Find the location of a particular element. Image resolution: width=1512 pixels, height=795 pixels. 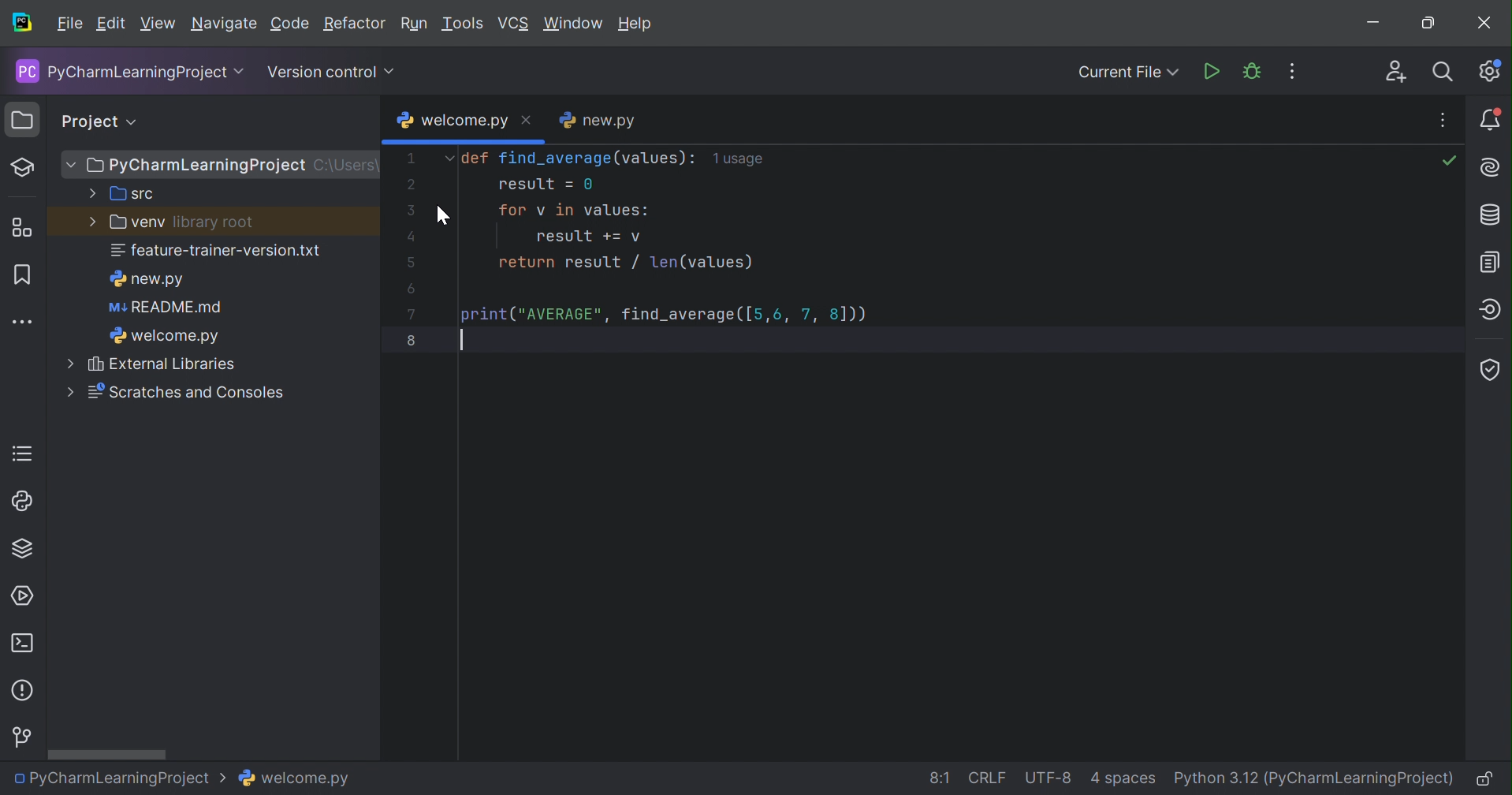

Updates available. IDE and Project settings. is located at coordinates (1492, 72).